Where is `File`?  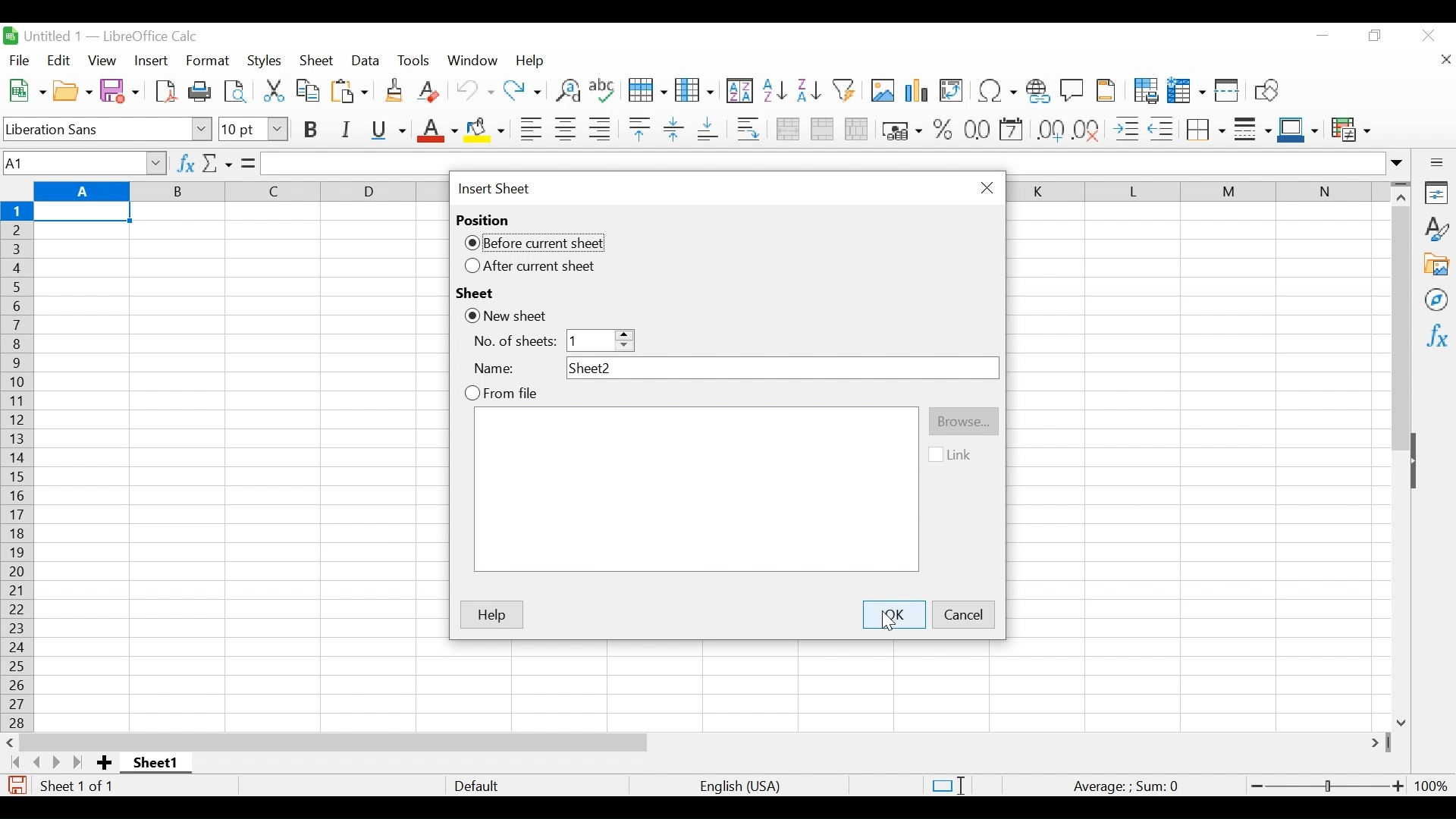 File is located at coordinates (21, 60).